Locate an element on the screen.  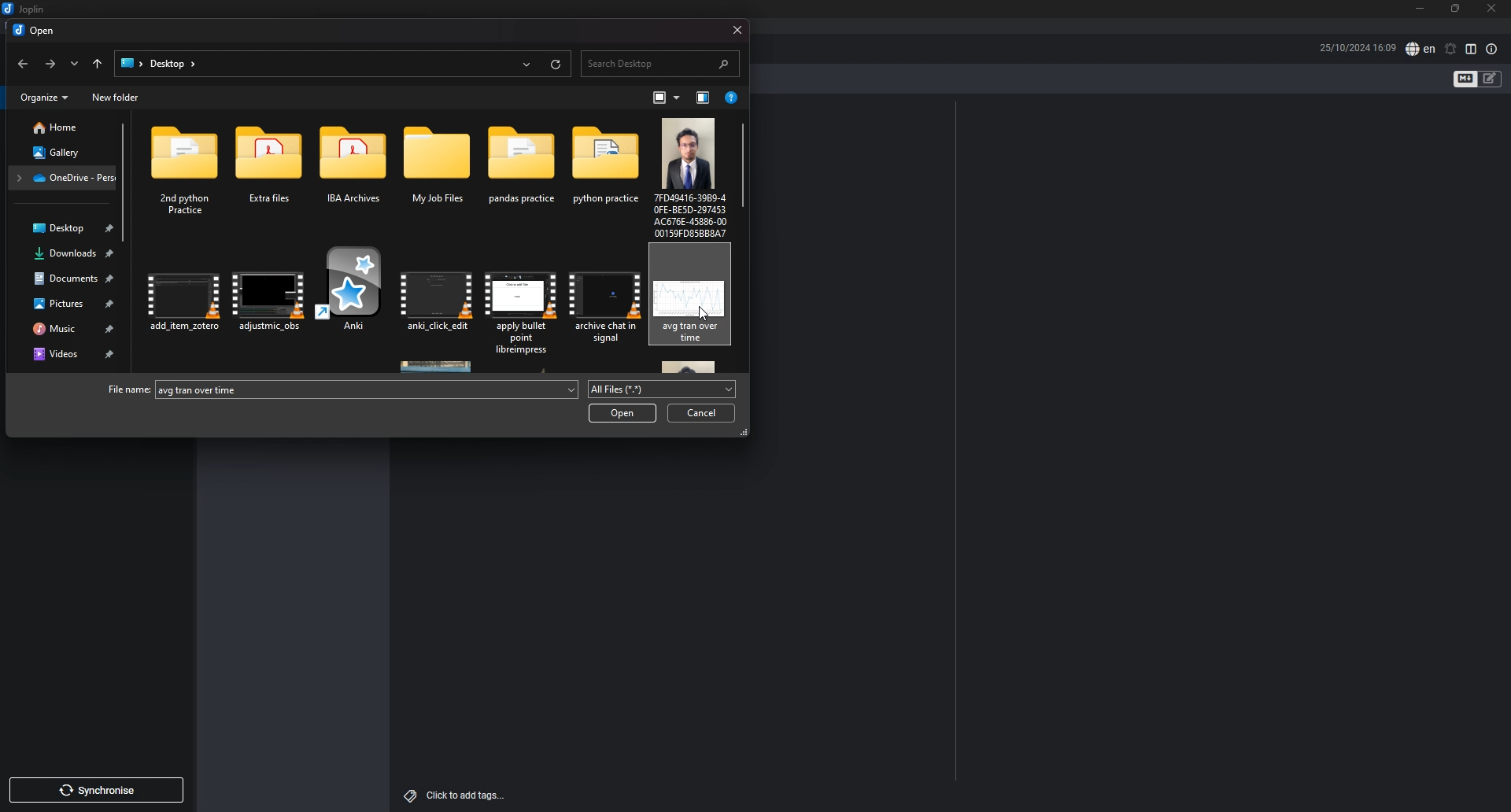
archieve chat in signal is located at coordinates (604, 304).